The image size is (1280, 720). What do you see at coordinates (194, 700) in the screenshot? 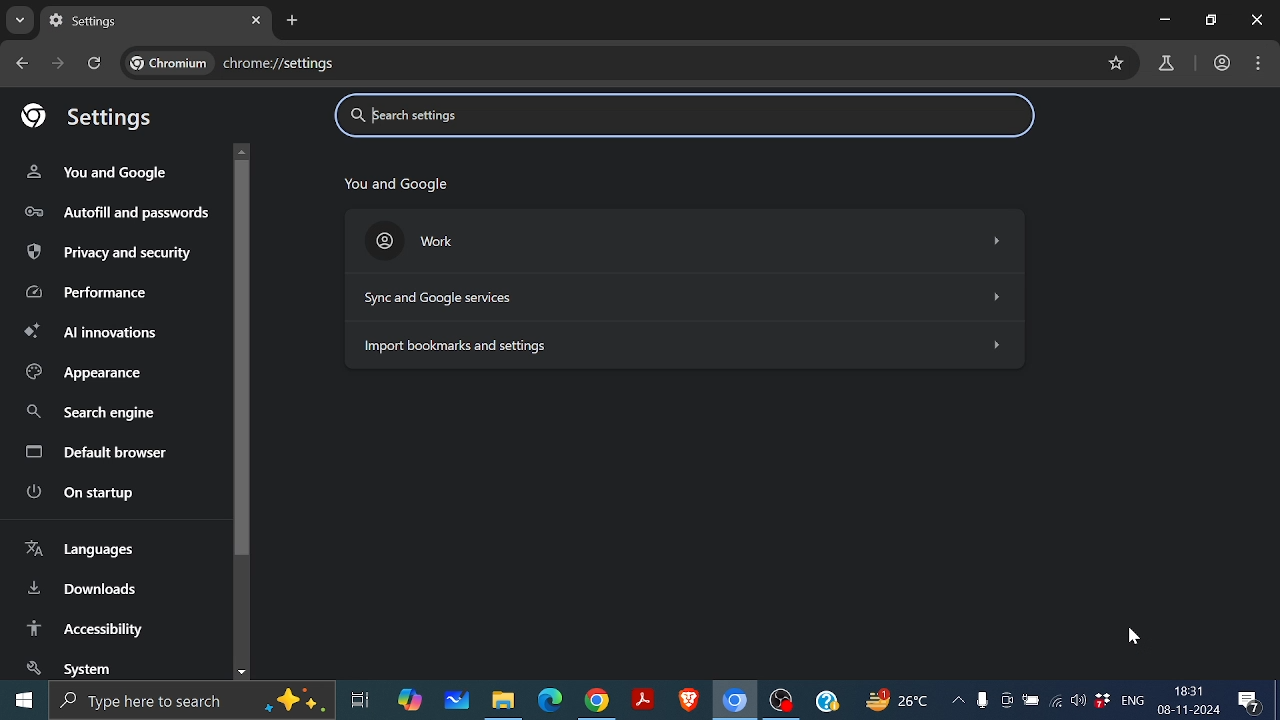
I see `type here to search` at bounding box center [194, 700].